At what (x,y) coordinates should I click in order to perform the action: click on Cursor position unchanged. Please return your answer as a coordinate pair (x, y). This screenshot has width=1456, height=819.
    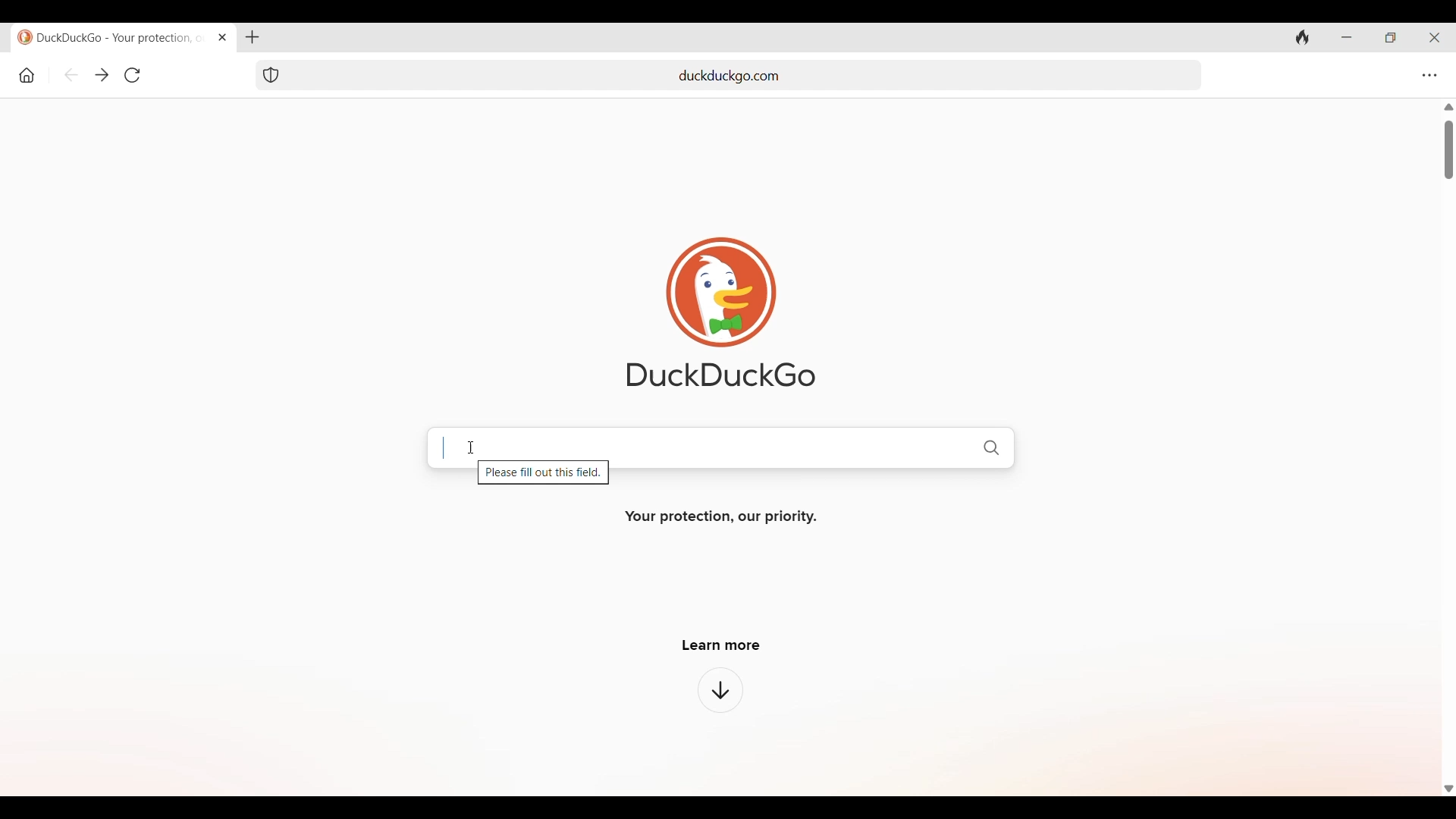
    Looking at the image, I should click on (470, 447).